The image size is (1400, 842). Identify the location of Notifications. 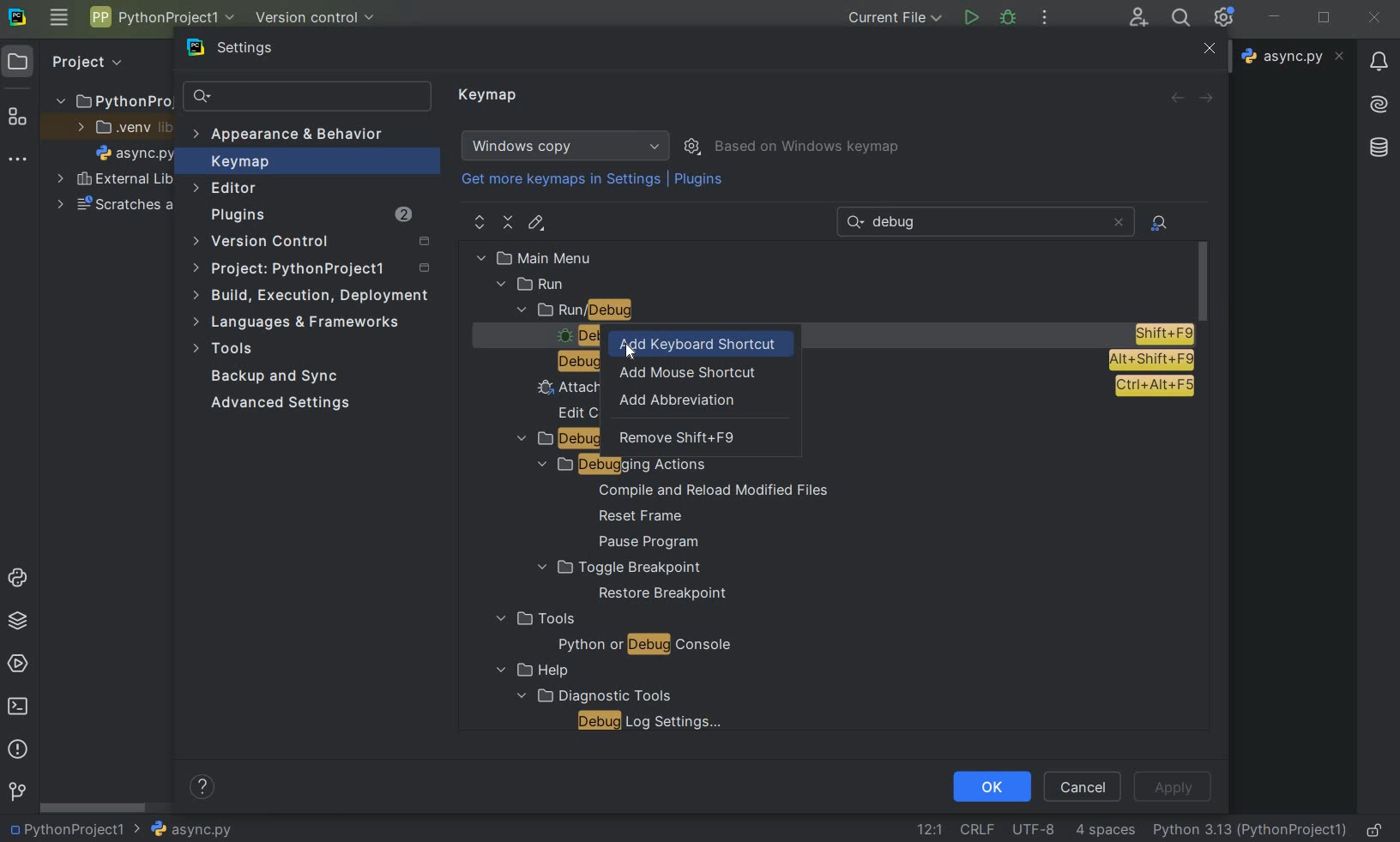
(1377, 56).